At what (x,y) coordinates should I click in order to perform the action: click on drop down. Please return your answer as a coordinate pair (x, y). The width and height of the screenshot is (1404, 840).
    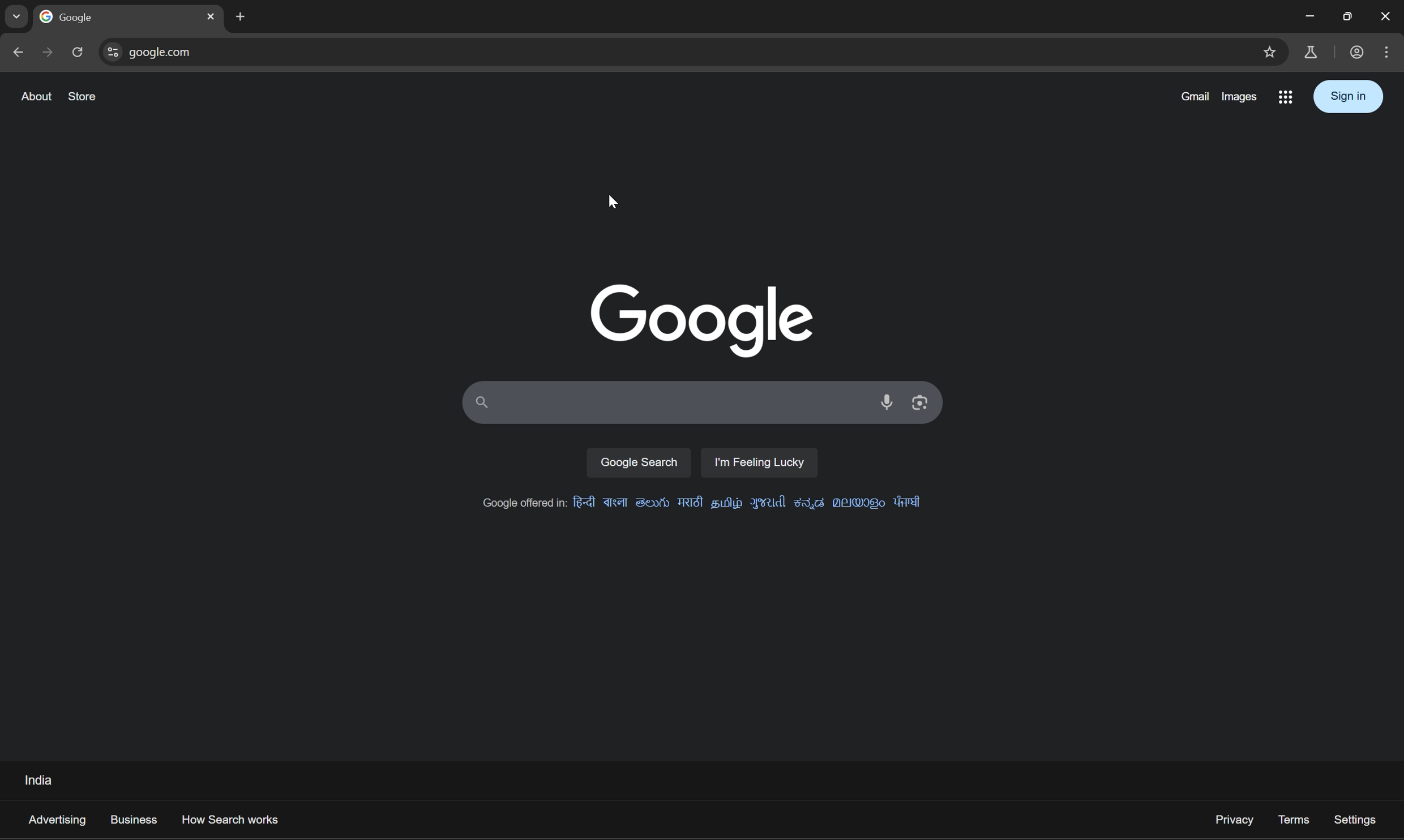
    Looking at the image, I should click on (19, 16).